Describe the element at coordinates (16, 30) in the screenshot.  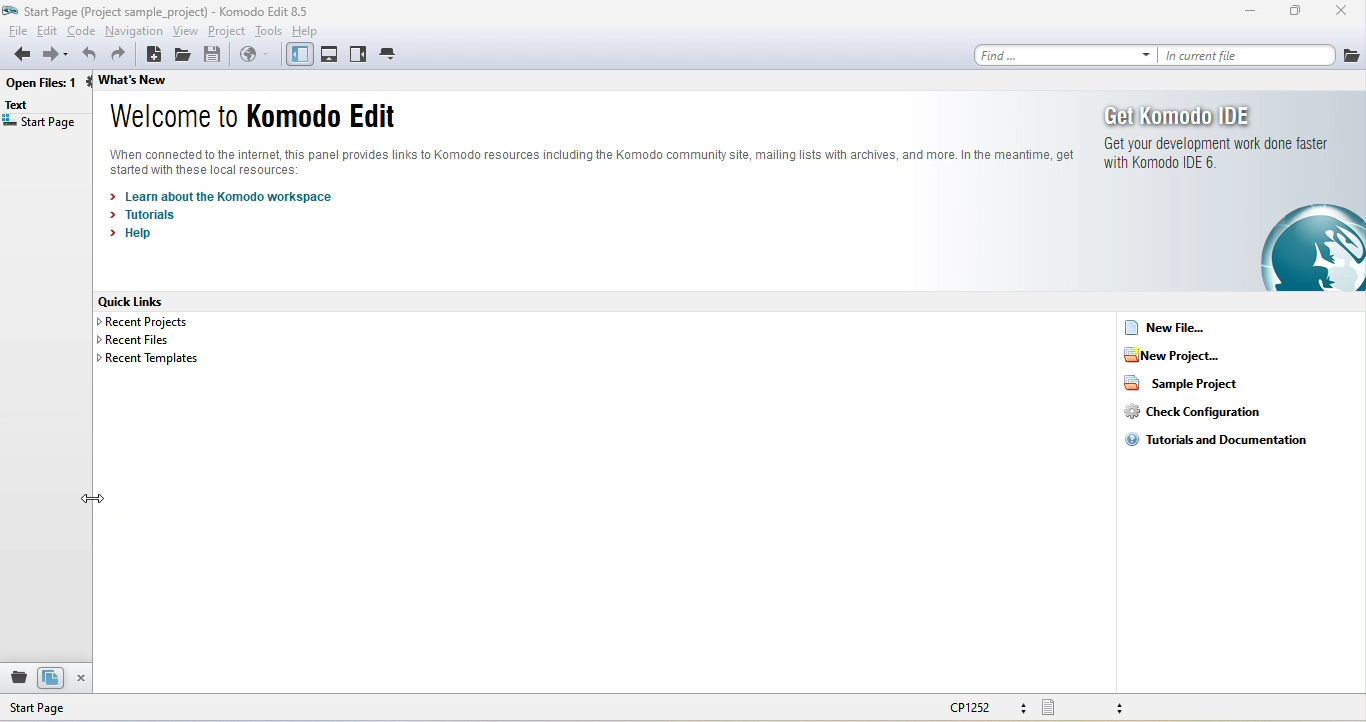
I see `file` at that location.